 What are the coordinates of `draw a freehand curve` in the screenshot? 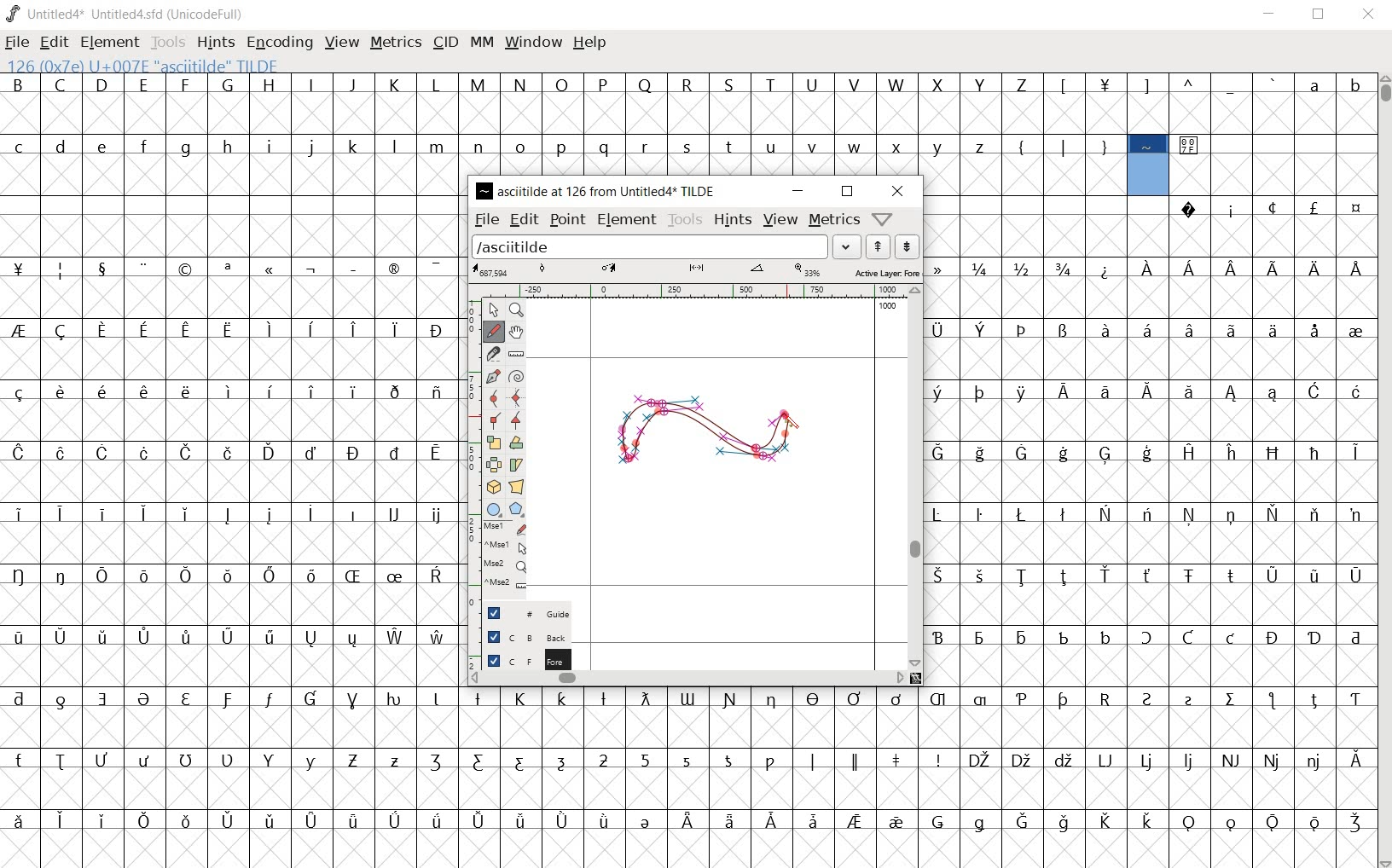 It's located at (495, 329).